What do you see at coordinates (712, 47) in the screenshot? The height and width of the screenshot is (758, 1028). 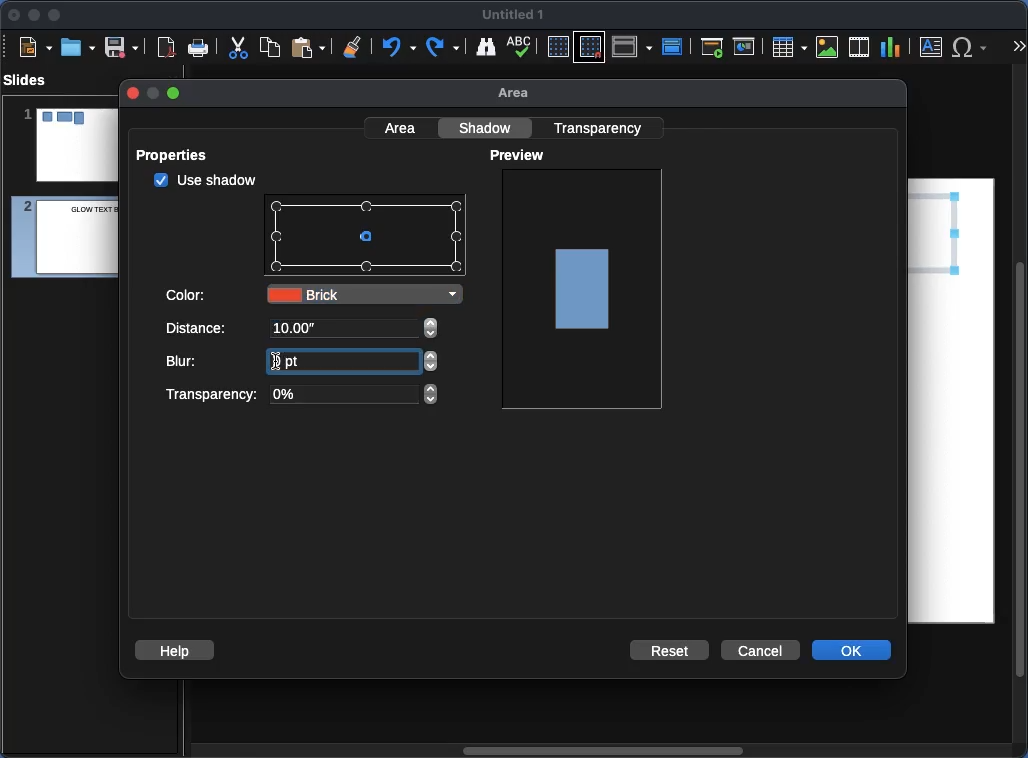 I see `First slide` at bounding box center [712, 47].